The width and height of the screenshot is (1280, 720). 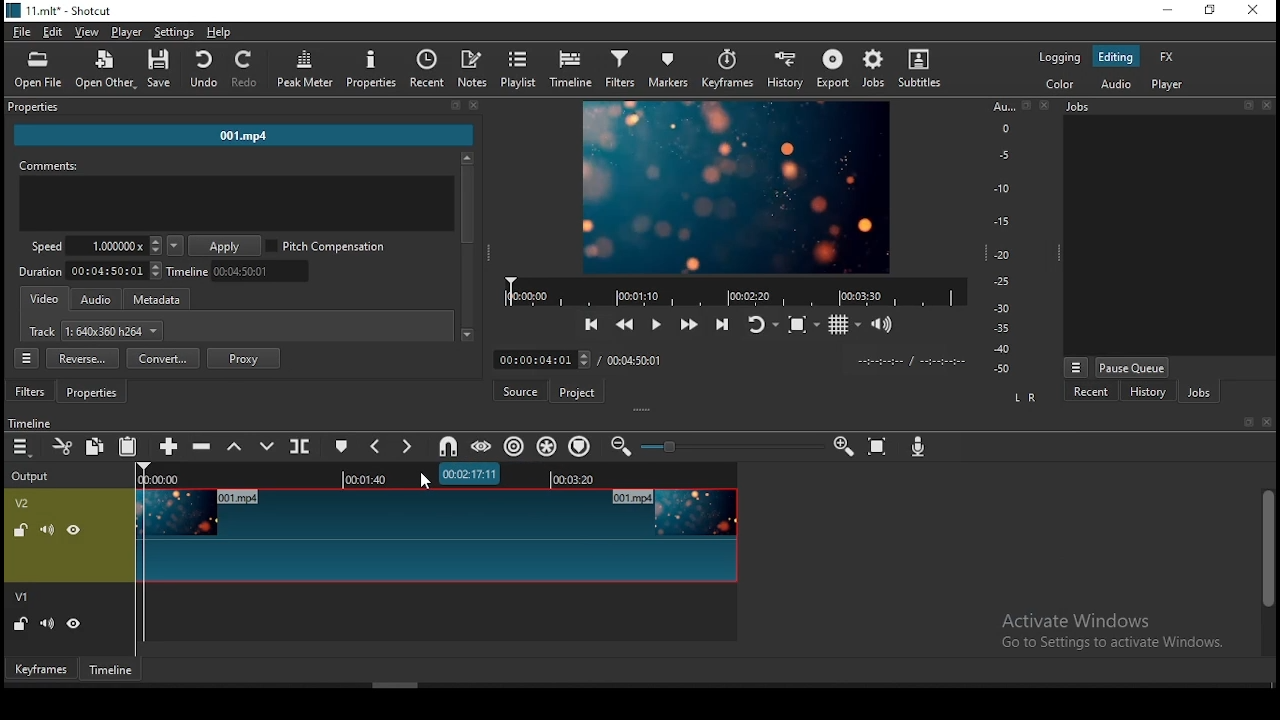 What do you see at coordinates (734, 291) in the screenshot?
I see `TIMELINE` at bounding box center [734, 291].